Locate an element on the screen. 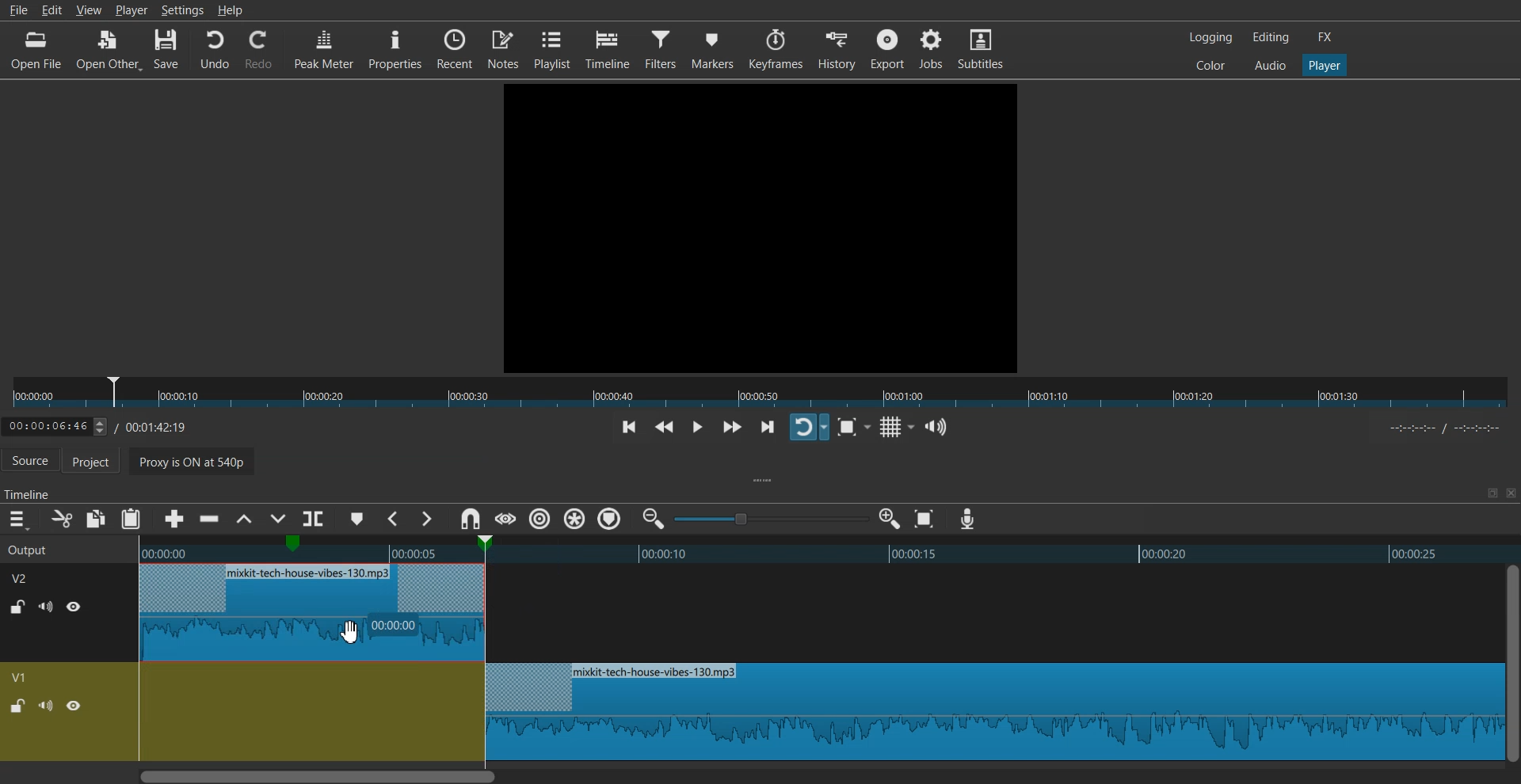  Output is located at coordinates (49, 548).